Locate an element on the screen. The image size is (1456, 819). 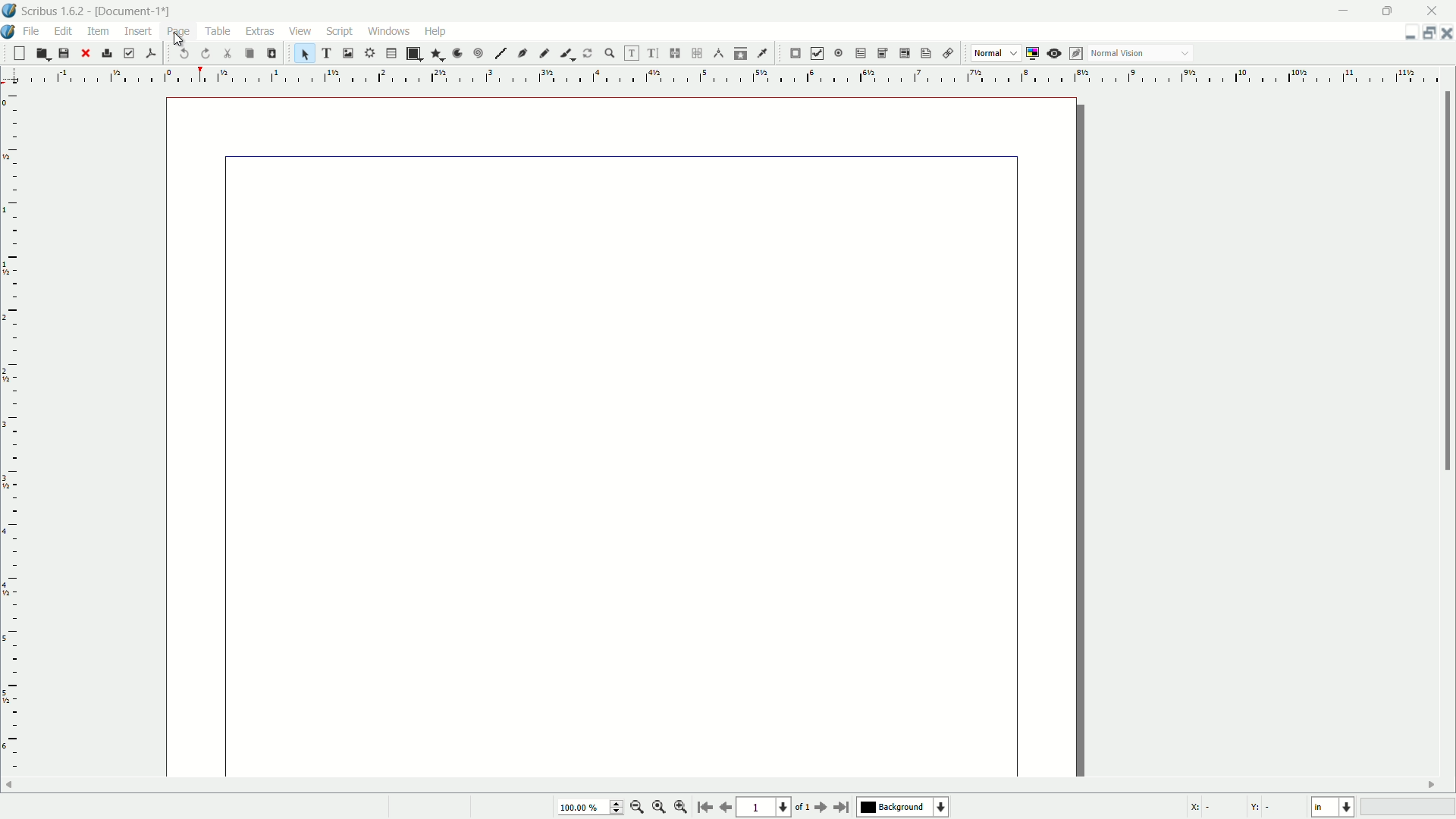
zoom in is located at coordinates (681, 808).